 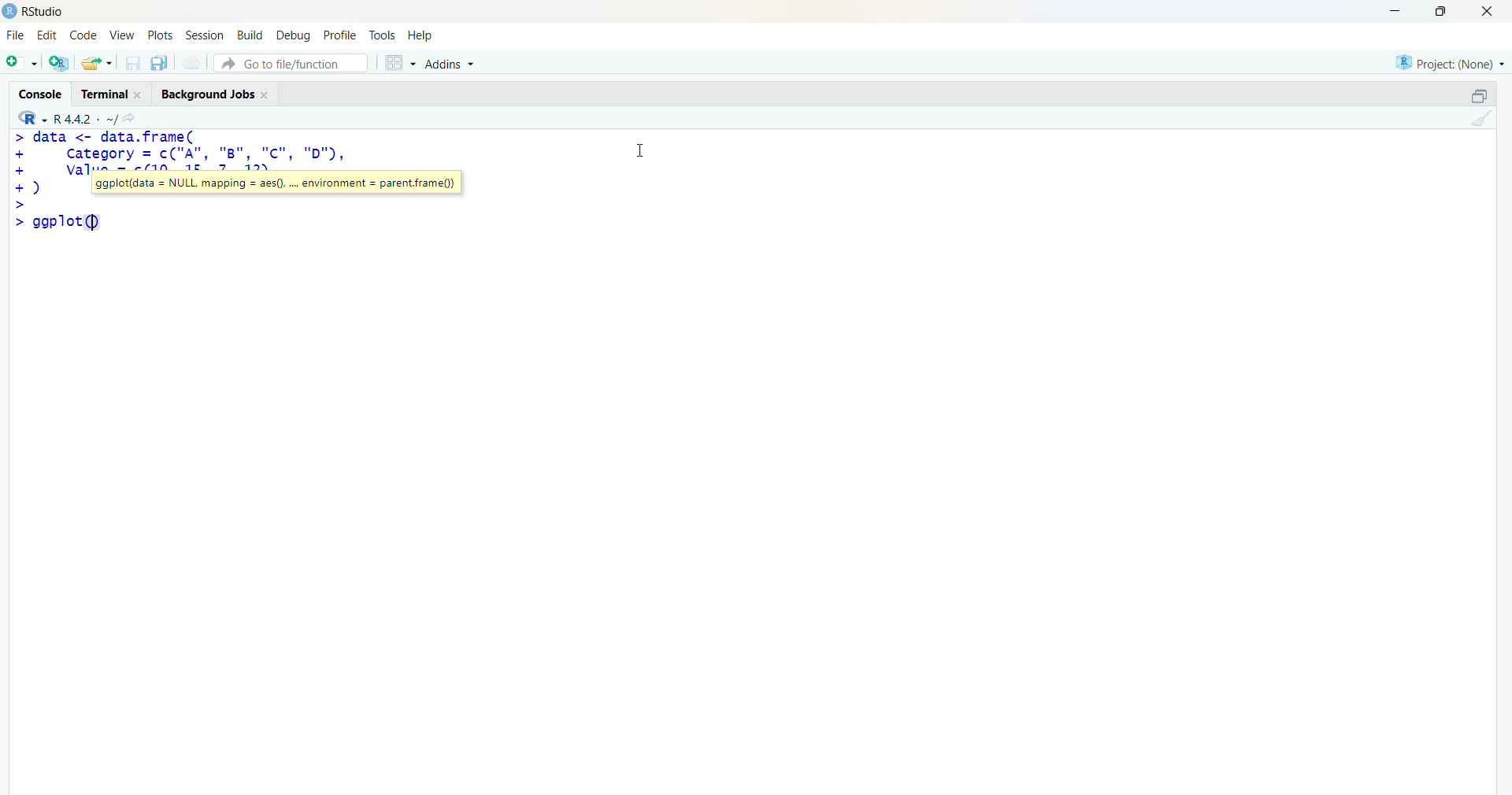 What do you see at coordinates (205, 35) in the screenshot?
I see `Session` at bounding box center [205, 35].